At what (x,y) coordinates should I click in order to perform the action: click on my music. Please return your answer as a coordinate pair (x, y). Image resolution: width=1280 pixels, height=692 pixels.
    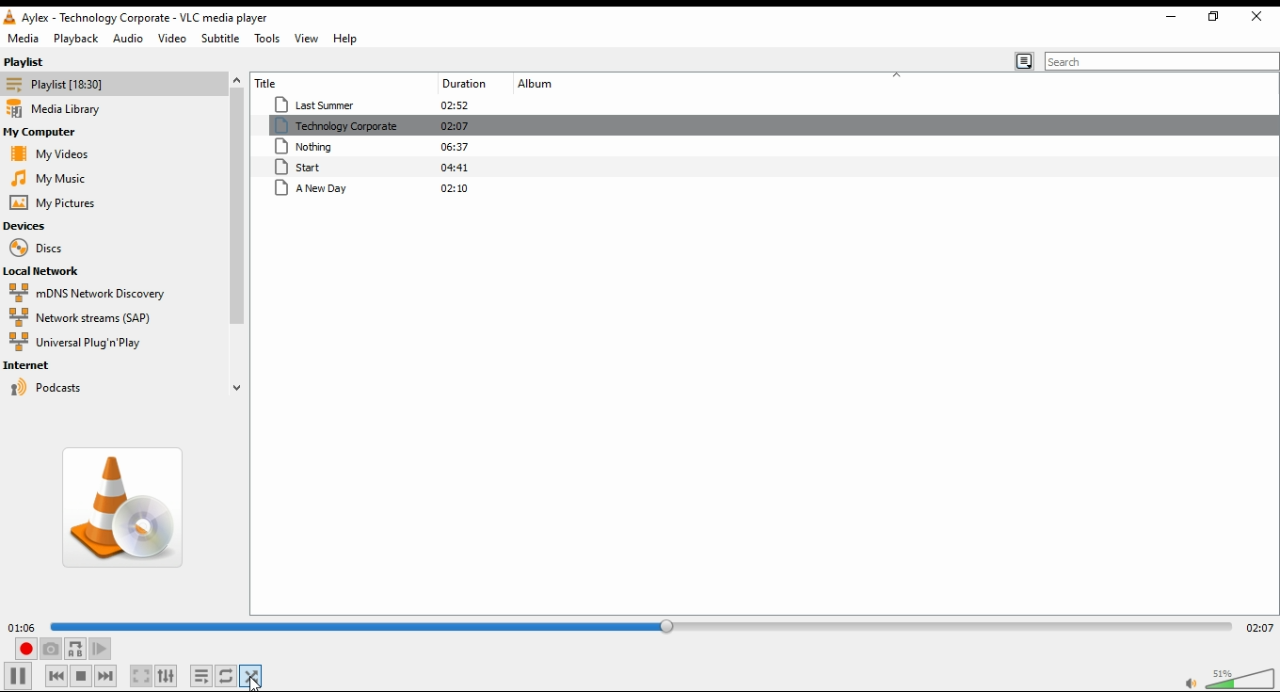
    Looking at the image, I should click on (50, 176).